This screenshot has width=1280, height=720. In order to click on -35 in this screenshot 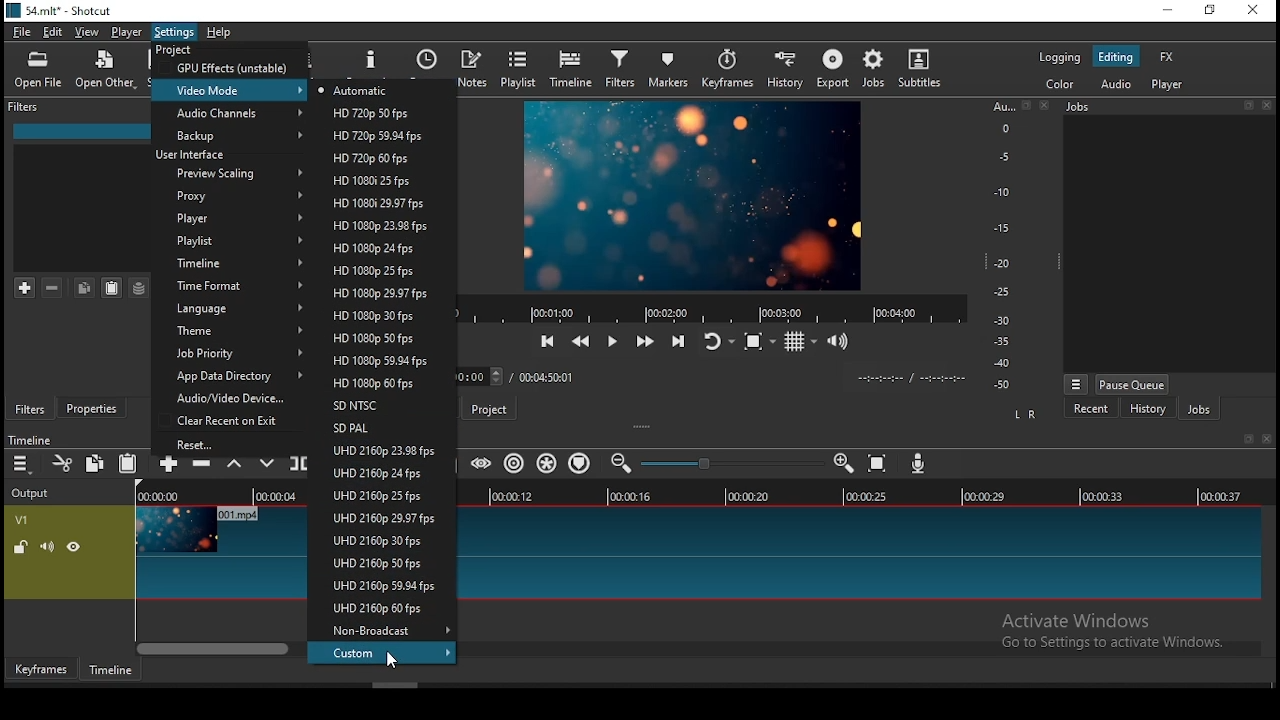, I will do `click(998, 342)`.